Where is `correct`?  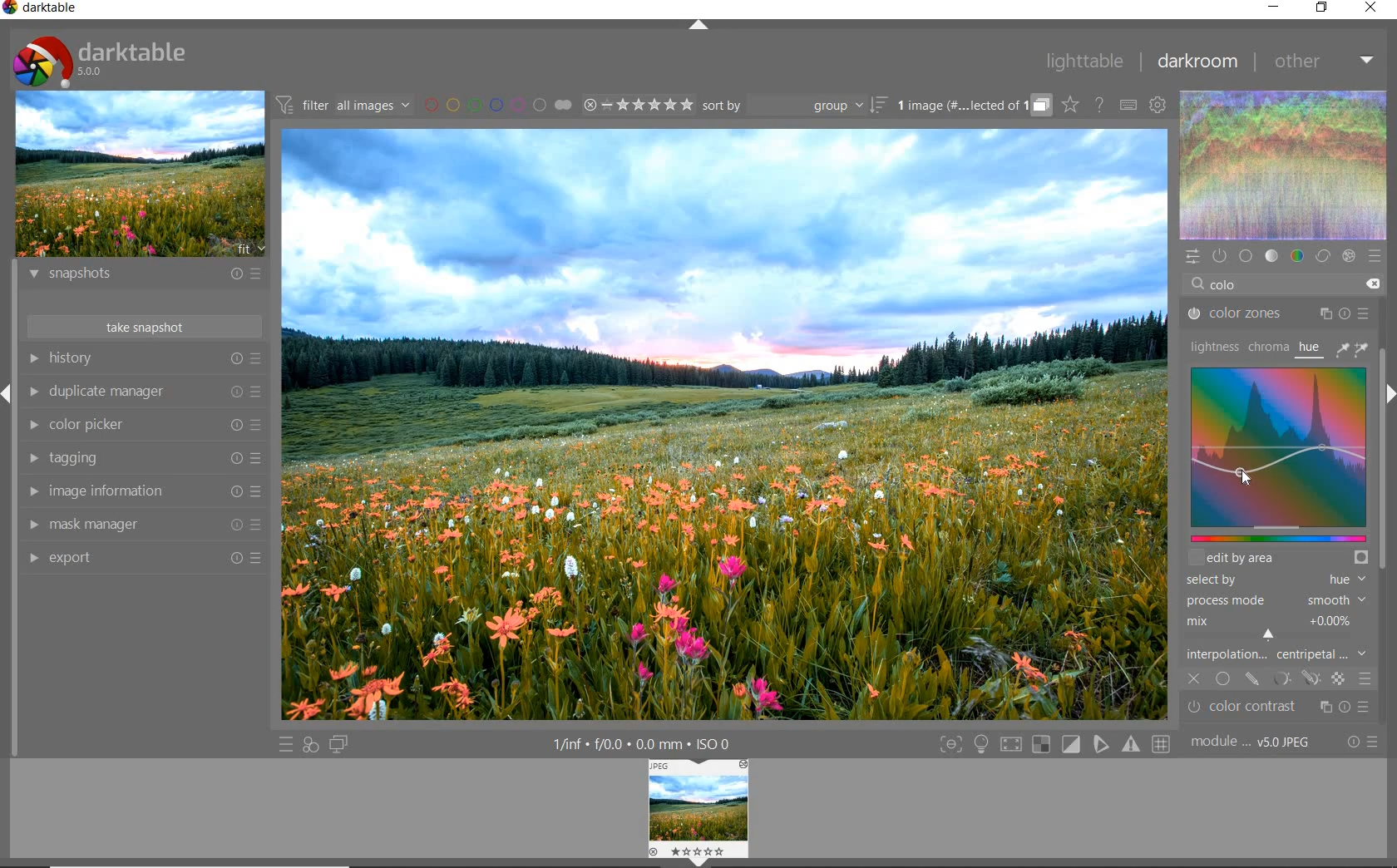 correct is located at coordinates (1322, 255).